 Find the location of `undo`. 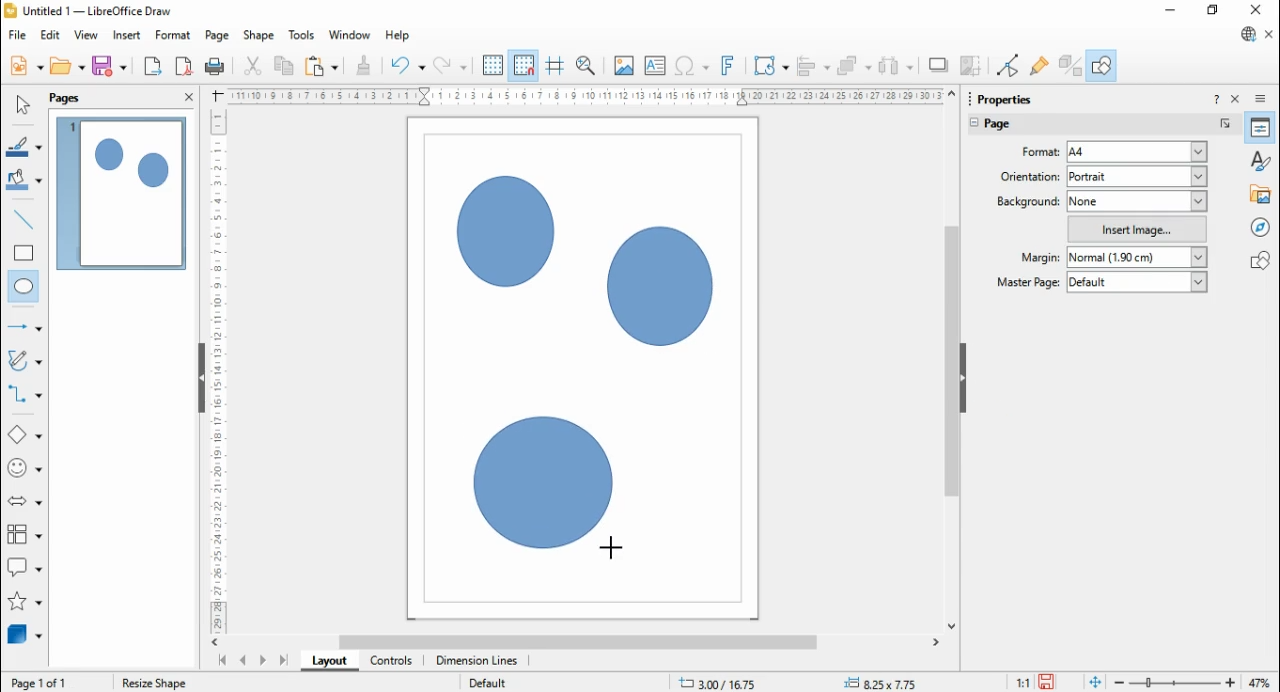

undo is located at coordinates (408, 66).